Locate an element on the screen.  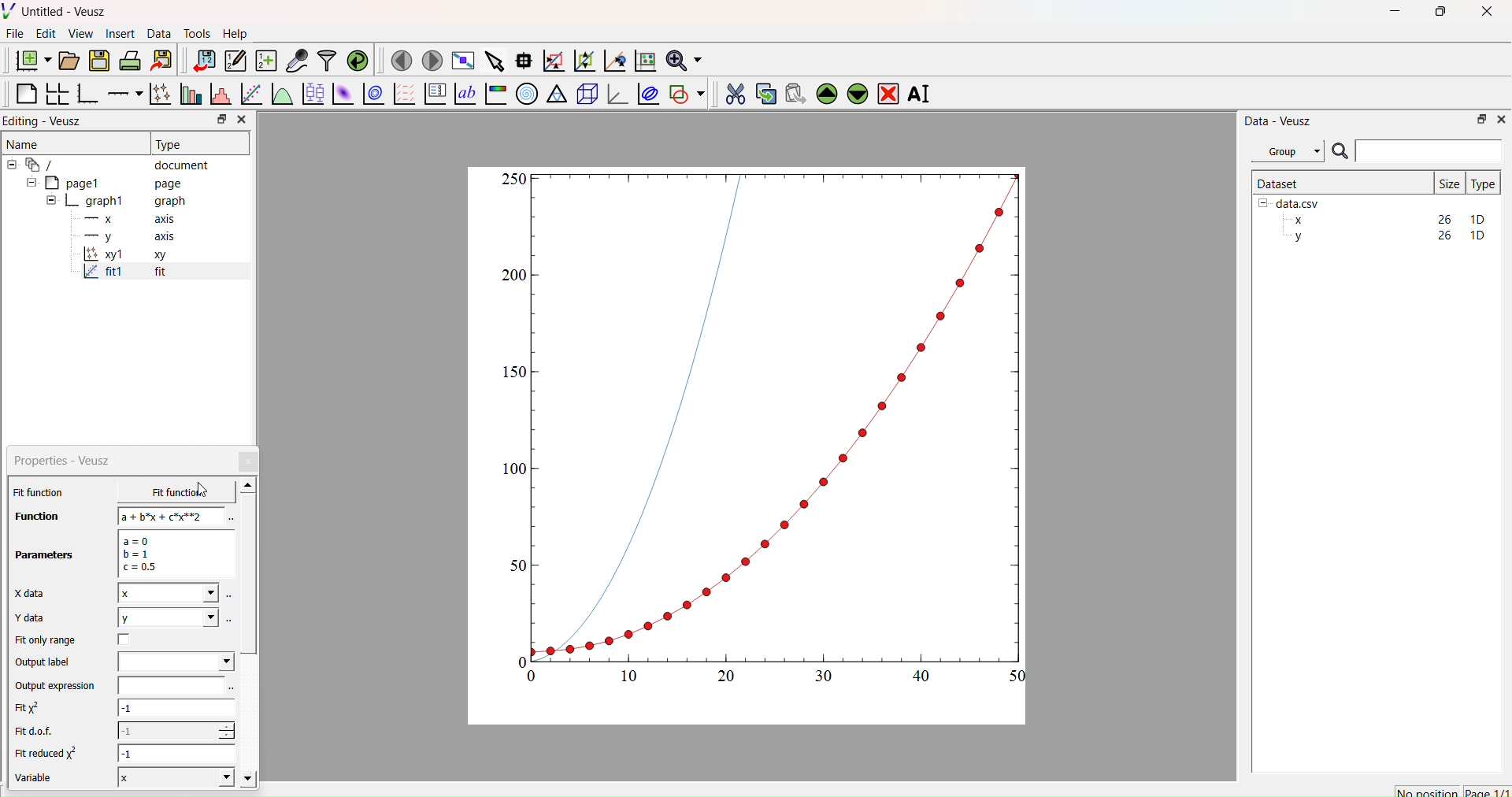
Print the document is located at coordinates (130, 59).